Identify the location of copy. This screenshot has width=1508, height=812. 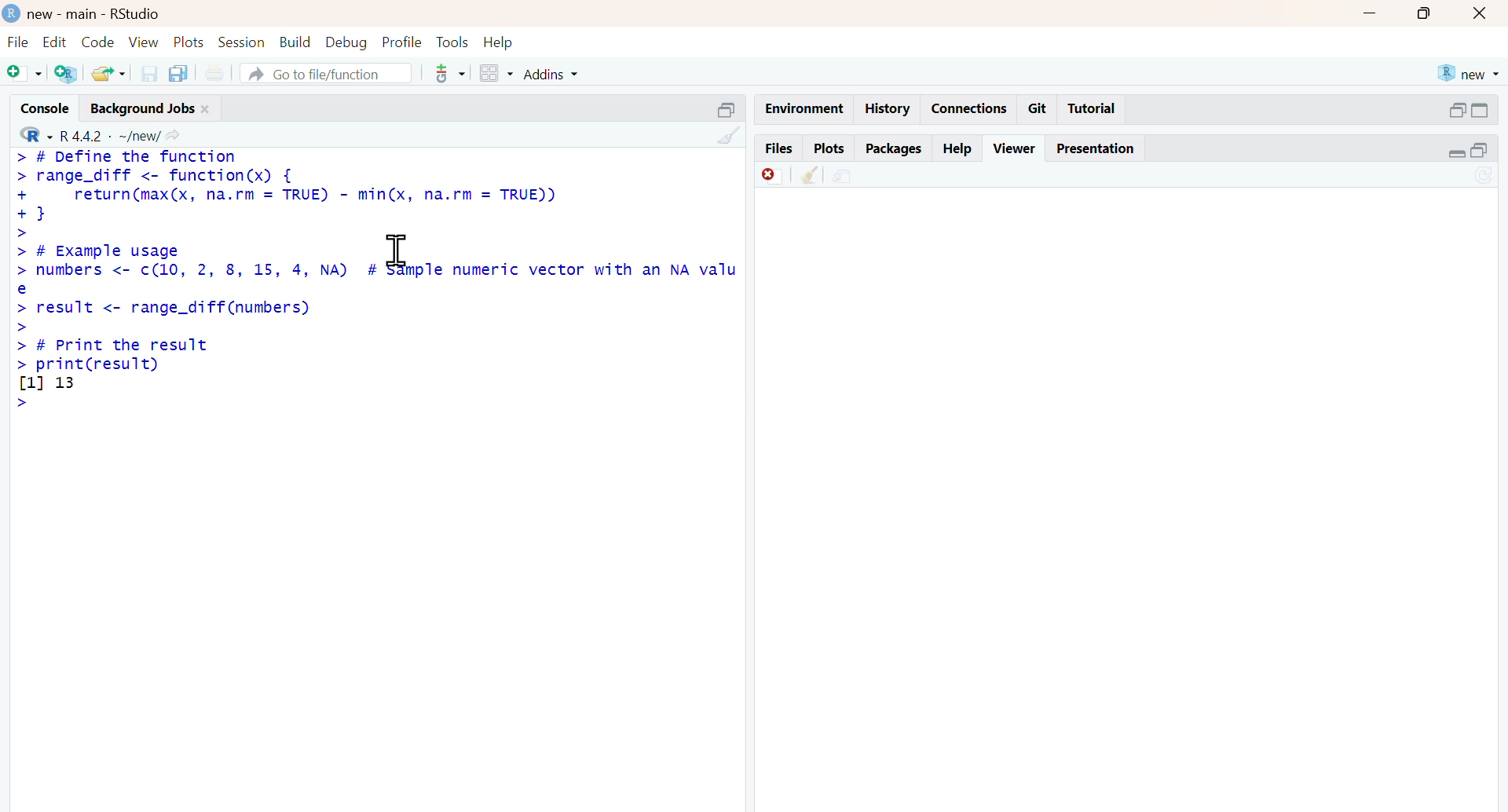
(178, 73).